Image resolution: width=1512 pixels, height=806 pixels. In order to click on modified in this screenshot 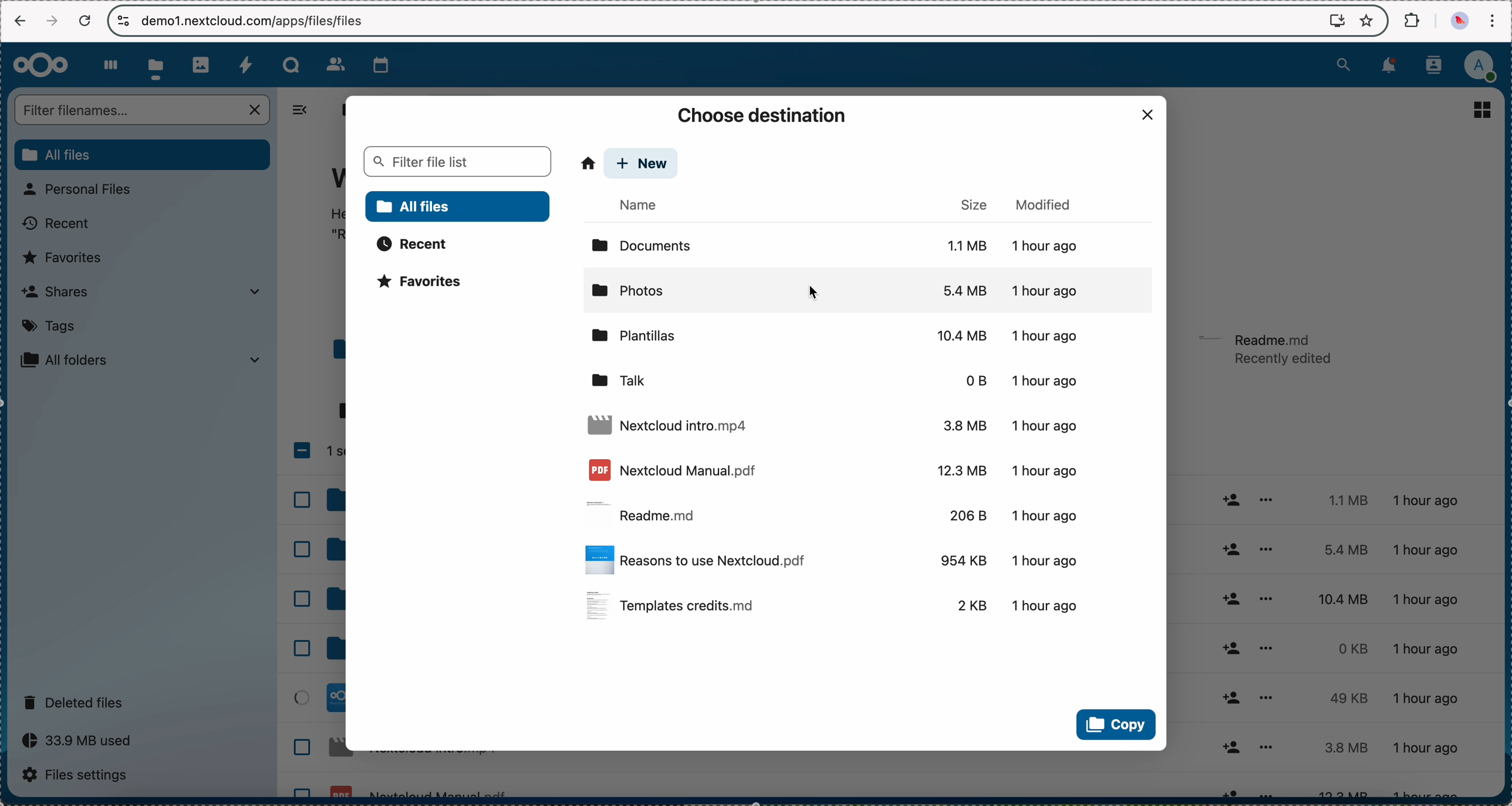, I will do `click(1047, 202)`.